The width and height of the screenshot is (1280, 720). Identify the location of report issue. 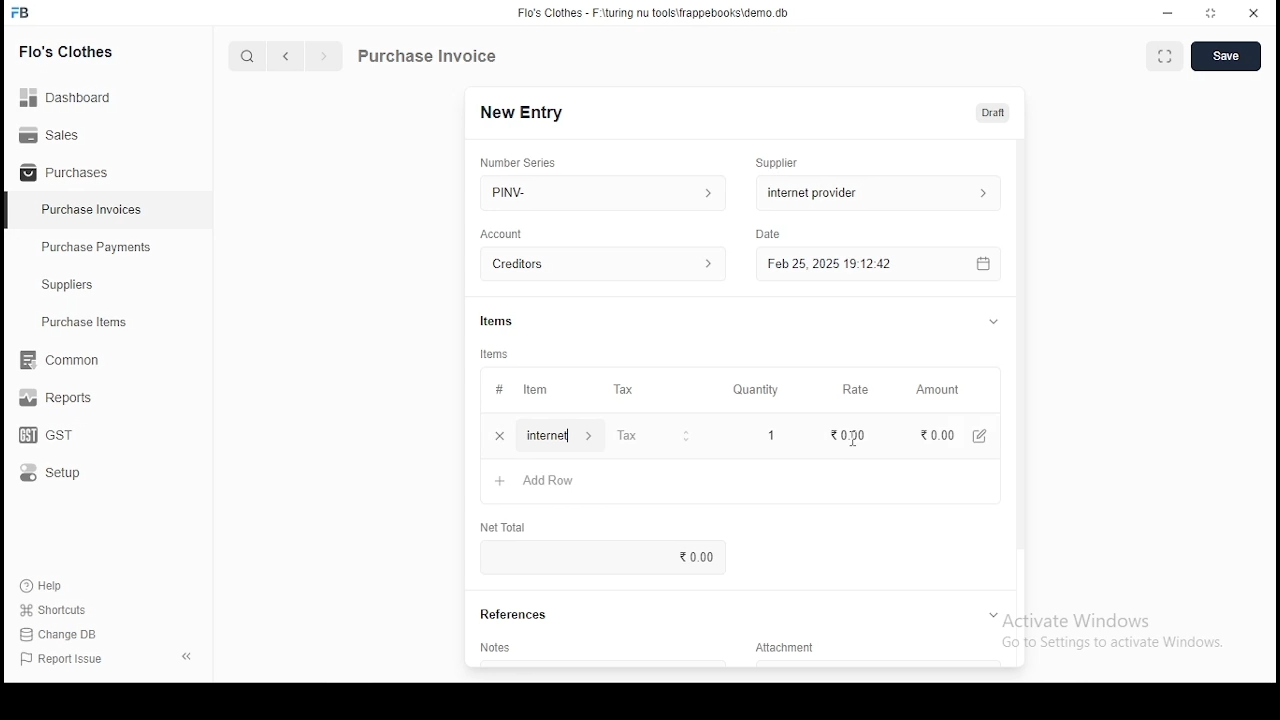
(64, 660).